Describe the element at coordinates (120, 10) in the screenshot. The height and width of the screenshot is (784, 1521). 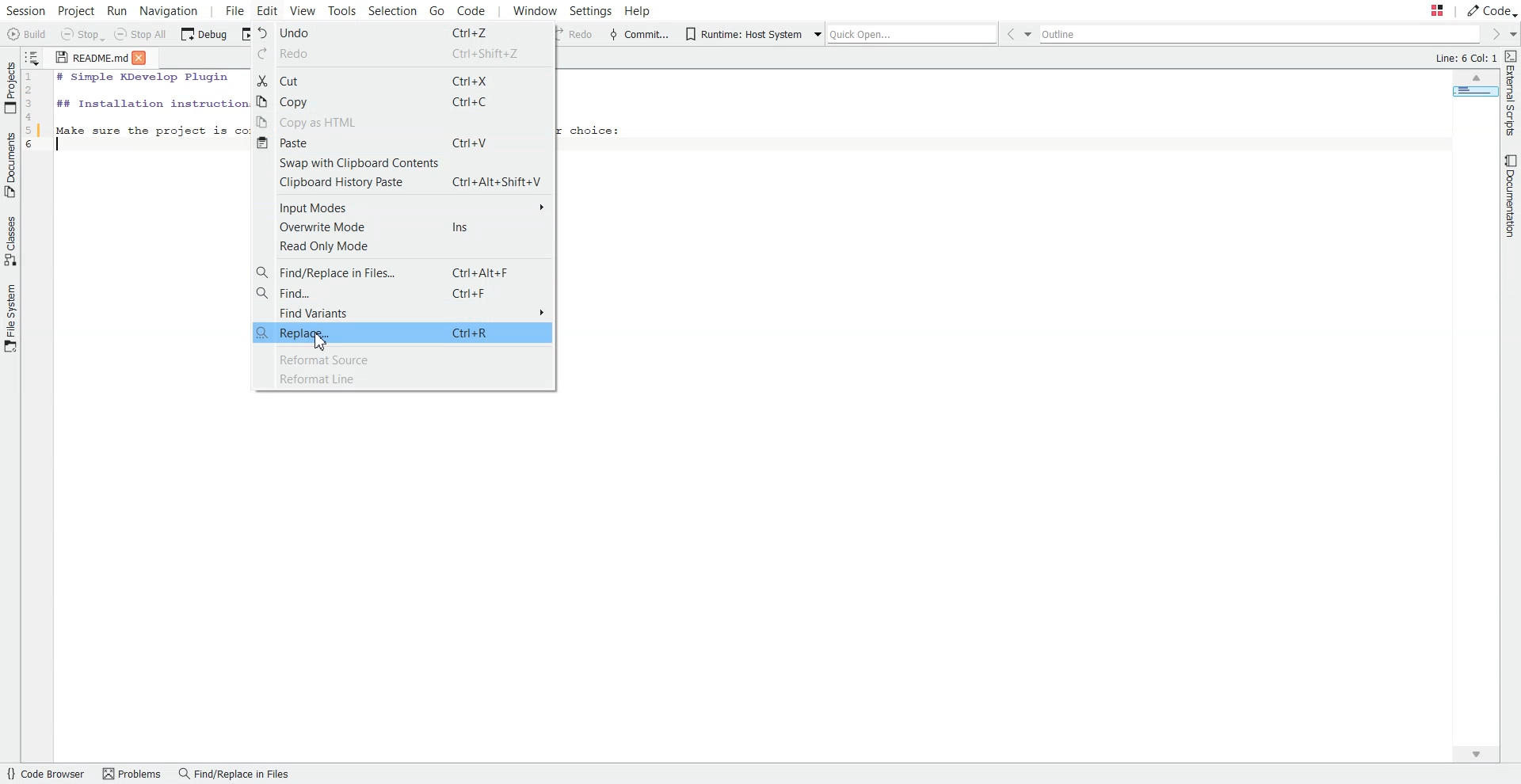
I see `Run ` at that location.